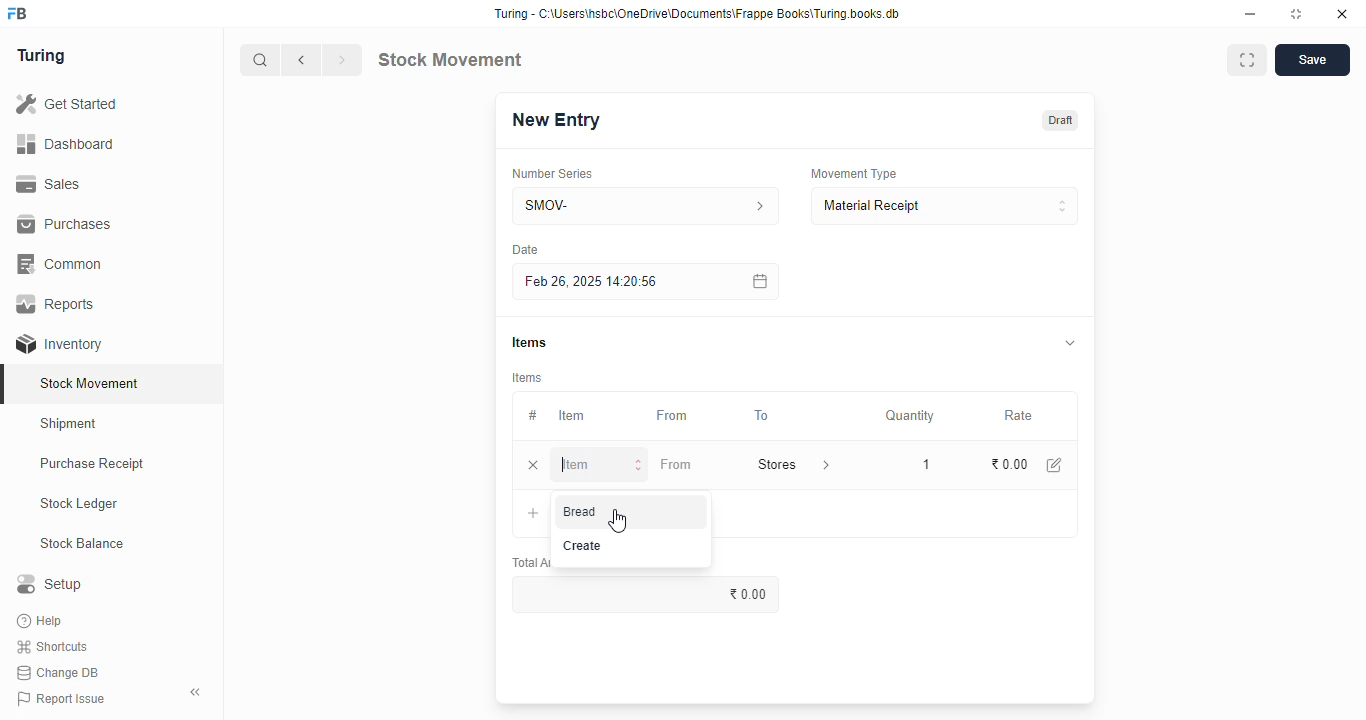  What do you see at coordinates (1071, 342) in the screenshot?
I see `toggle expand/collapse` at bounding box center [1071, 342].